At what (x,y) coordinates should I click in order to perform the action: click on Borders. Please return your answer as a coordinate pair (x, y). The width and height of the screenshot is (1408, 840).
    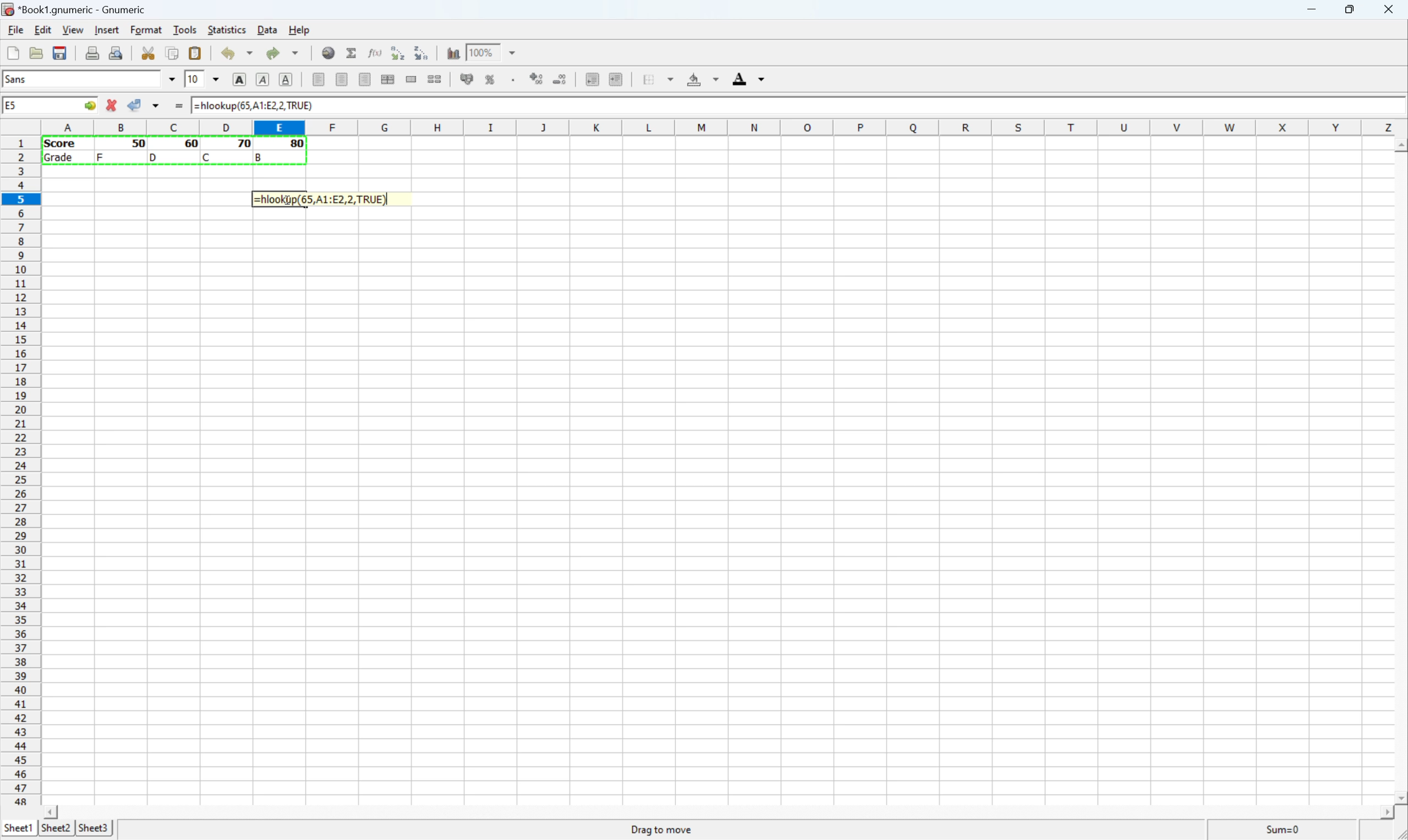
    Looking at the image, I should click on (660, 78).